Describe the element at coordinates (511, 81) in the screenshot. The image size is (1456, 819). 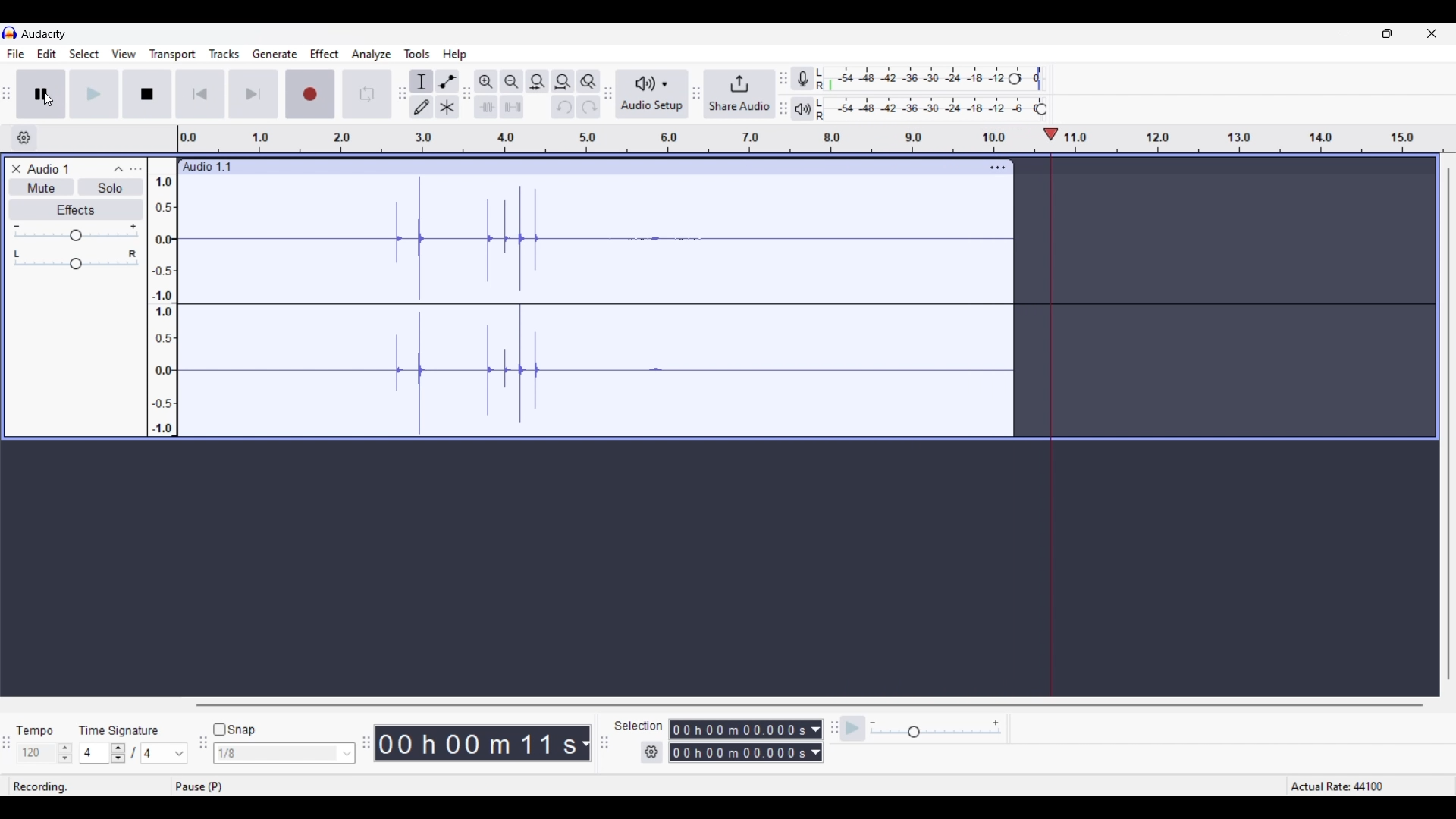
I see `Zoom out` at that location.